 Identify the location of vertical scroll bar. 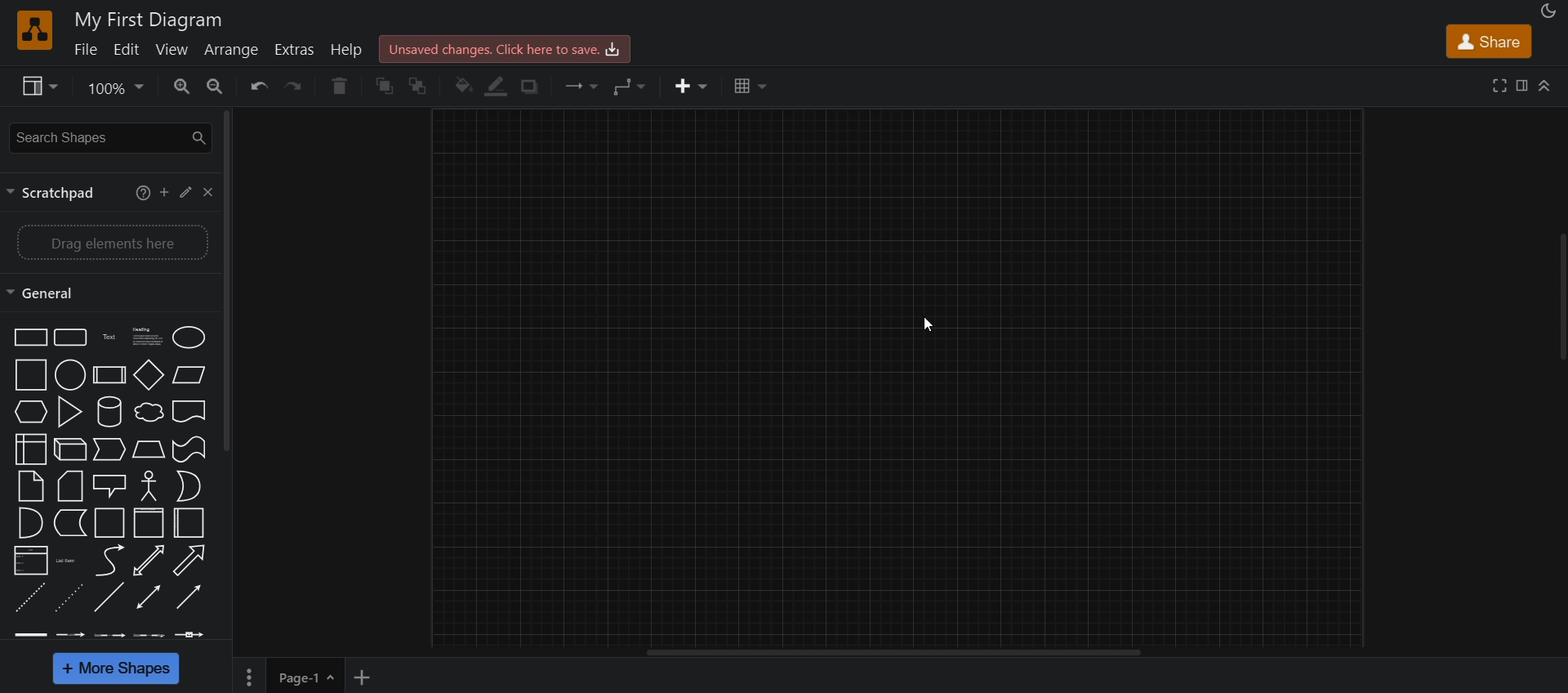
(229, 279).